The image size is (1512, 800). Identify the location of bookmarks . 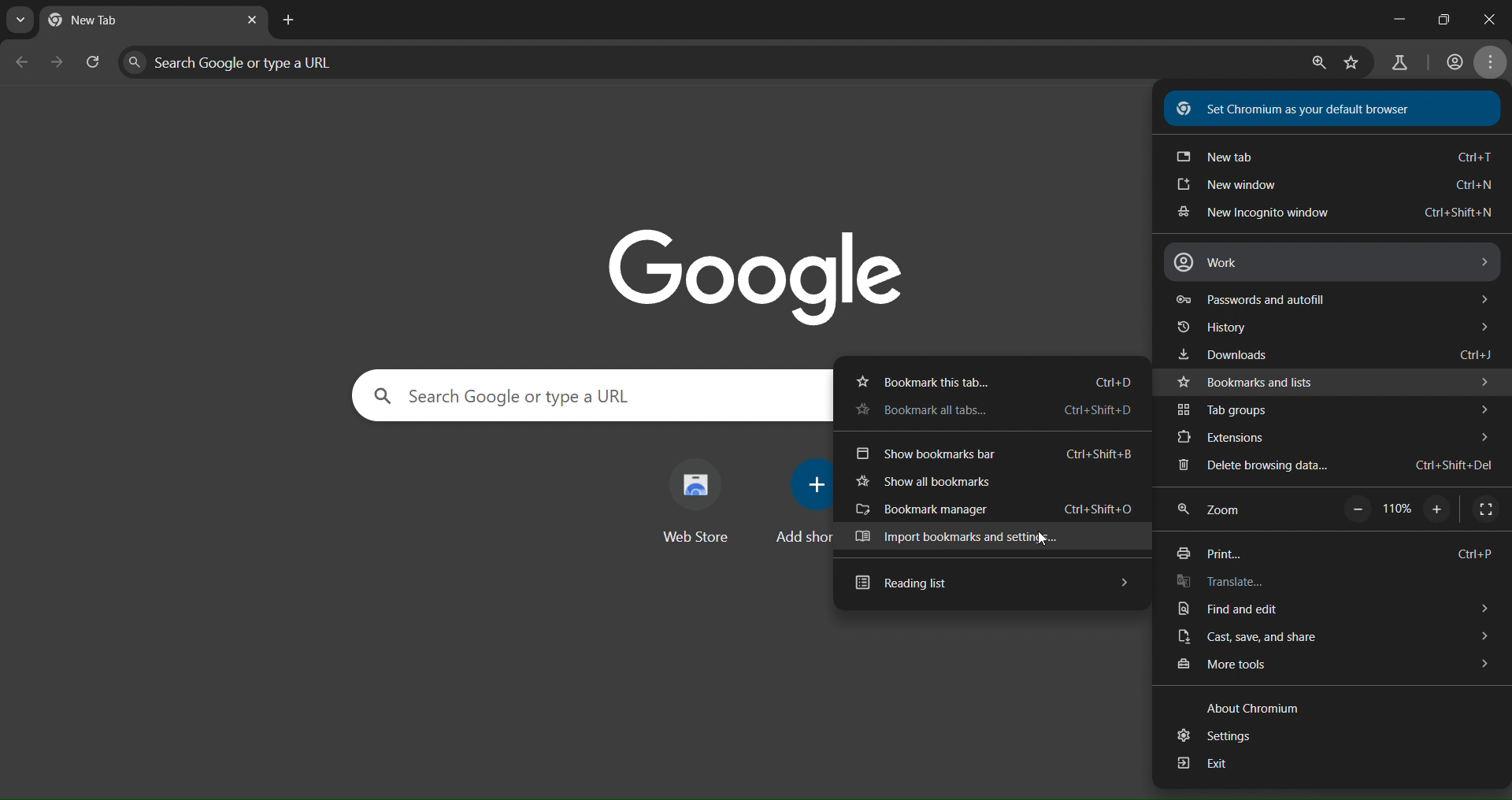
(1337, 381).